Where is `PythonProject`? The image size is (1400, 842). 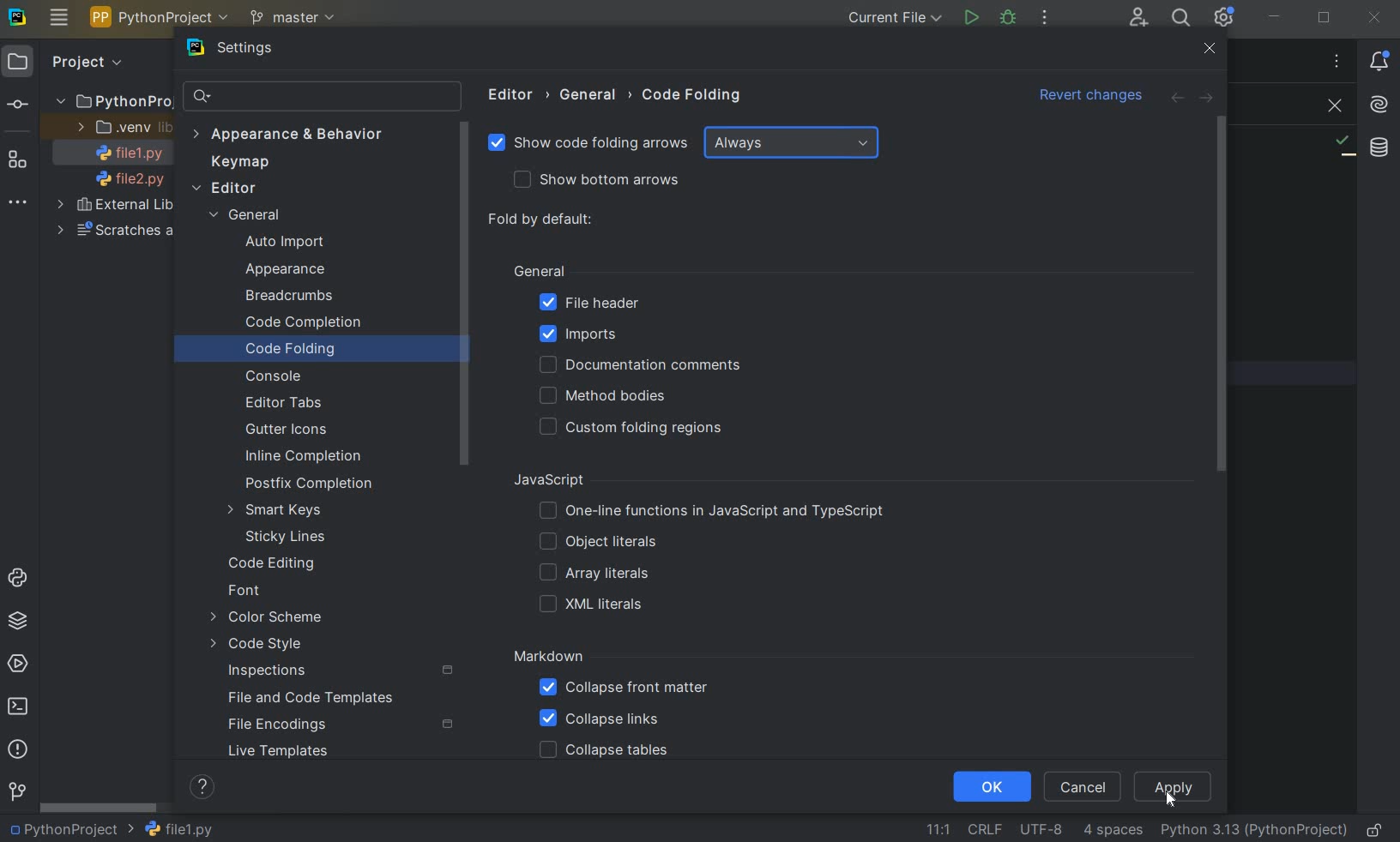 PythonProject is located at coordinates (113, 102).